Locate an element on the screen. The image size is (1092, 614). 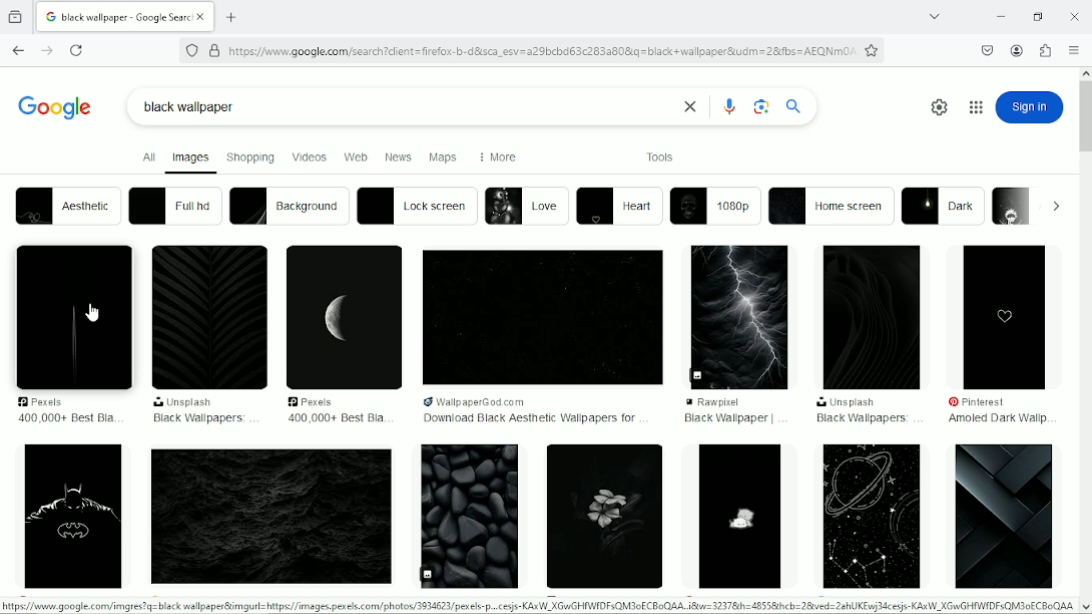
view recent browsing is located at coordinates (16, 16).